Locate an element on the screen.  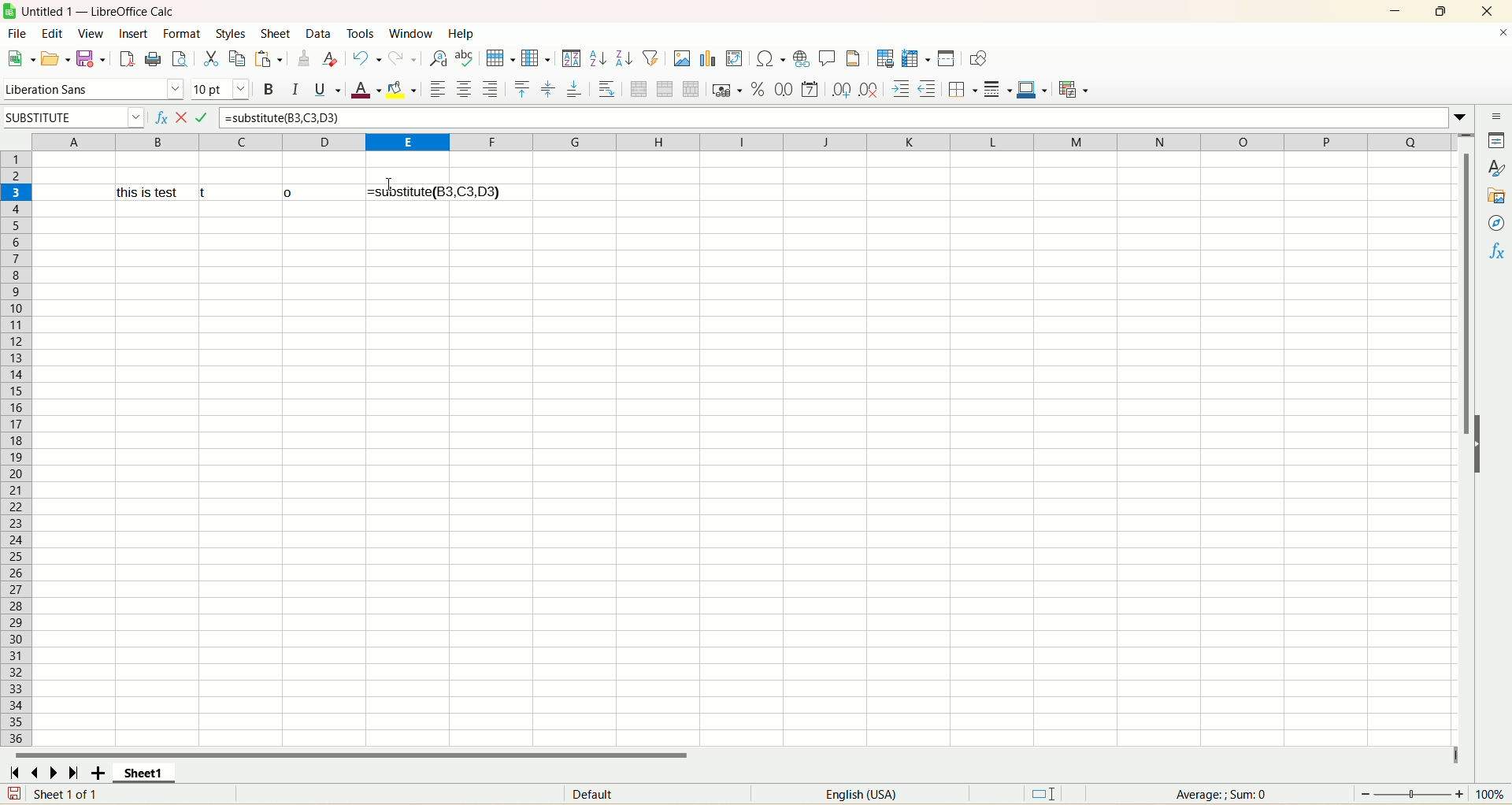
italics is located at coordinates (297, 91).